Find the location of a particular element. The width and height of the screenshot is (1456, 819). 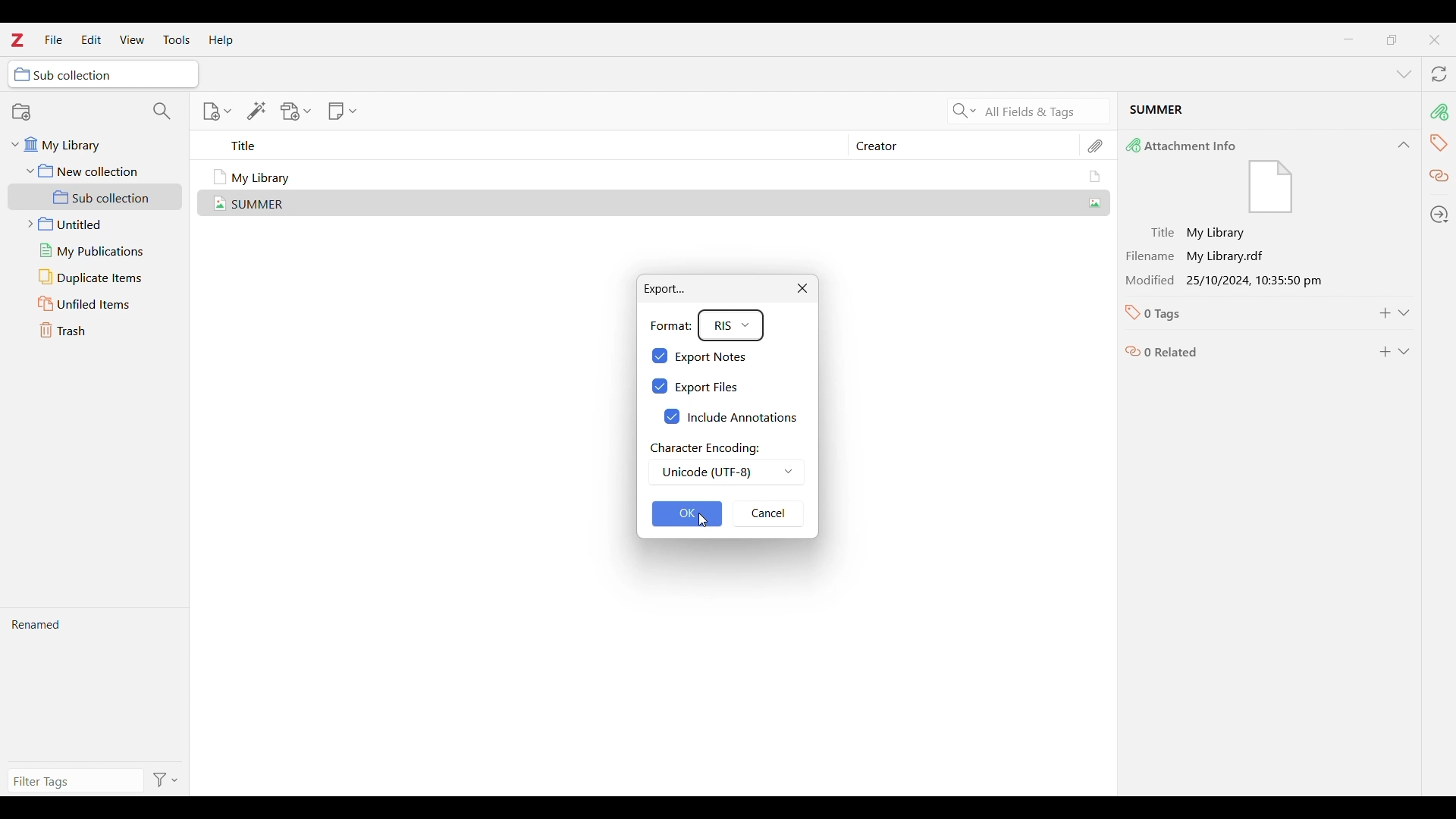

Current selected file is located at coordinates (1269, 112).